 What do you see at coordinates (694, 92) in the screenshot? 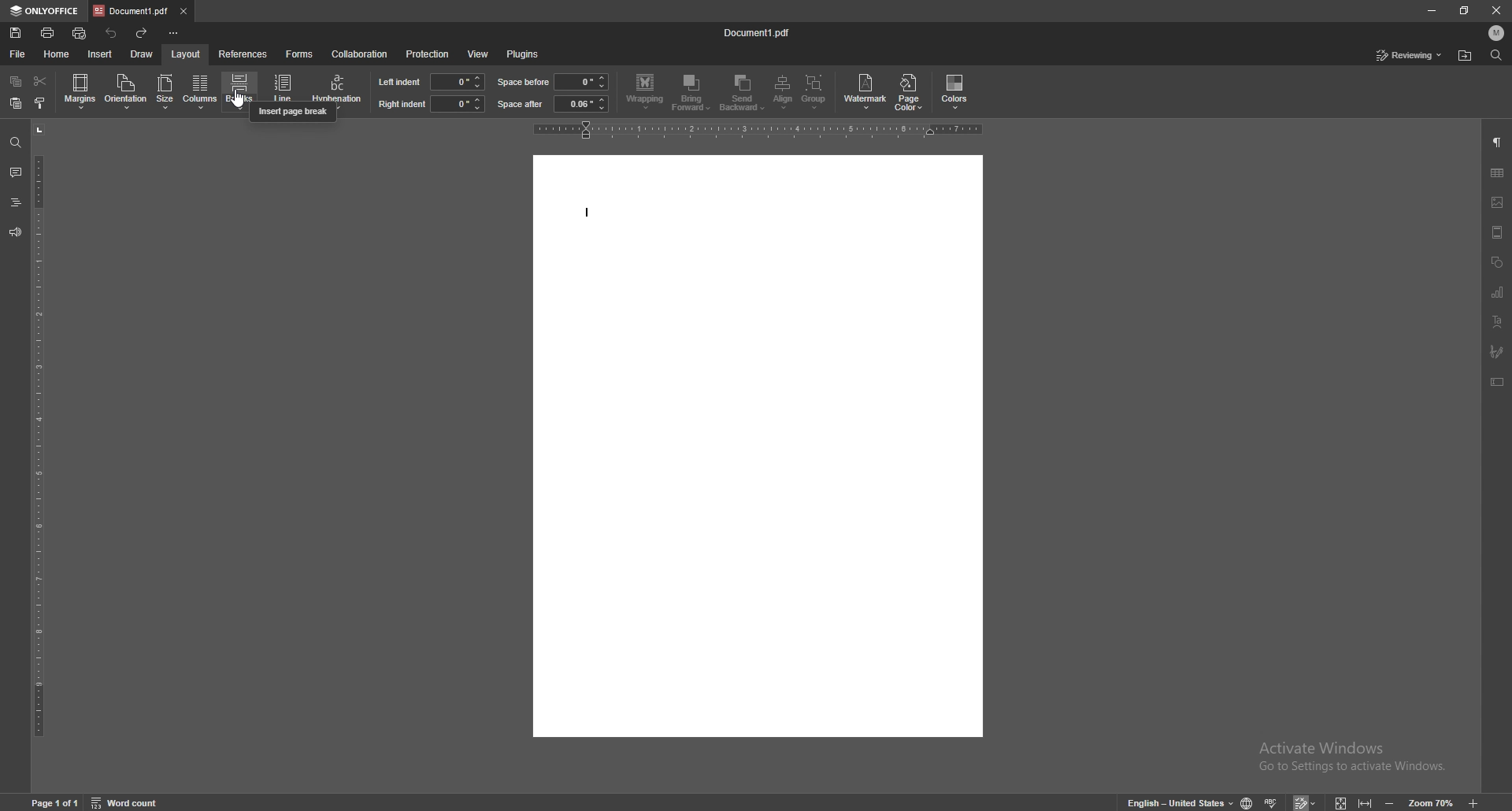
I see `bring forward` at bounding box center [694, 92].